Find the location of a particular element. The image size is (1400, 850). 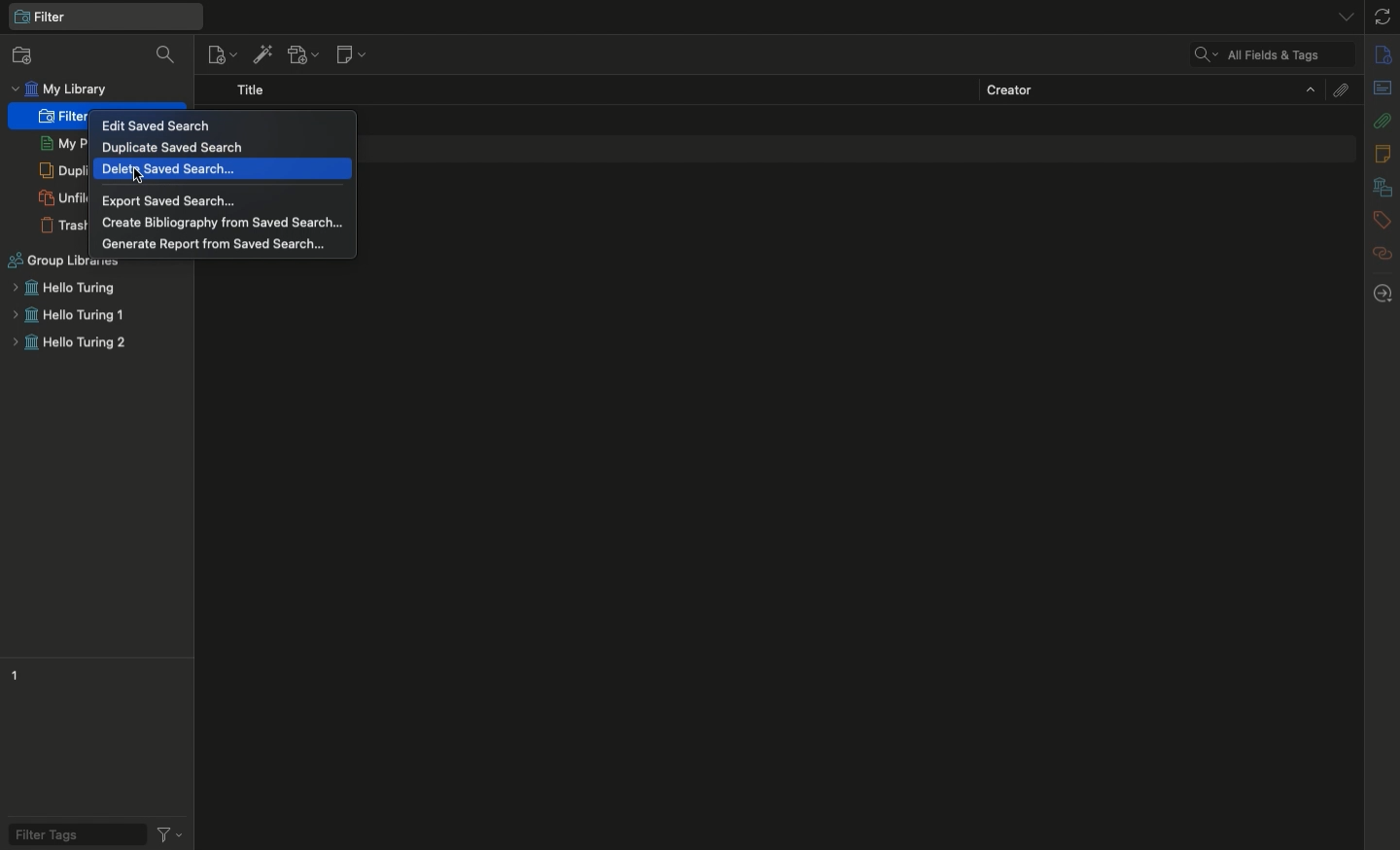

Create bibliography from saved search is located at coordinates (224, 224).